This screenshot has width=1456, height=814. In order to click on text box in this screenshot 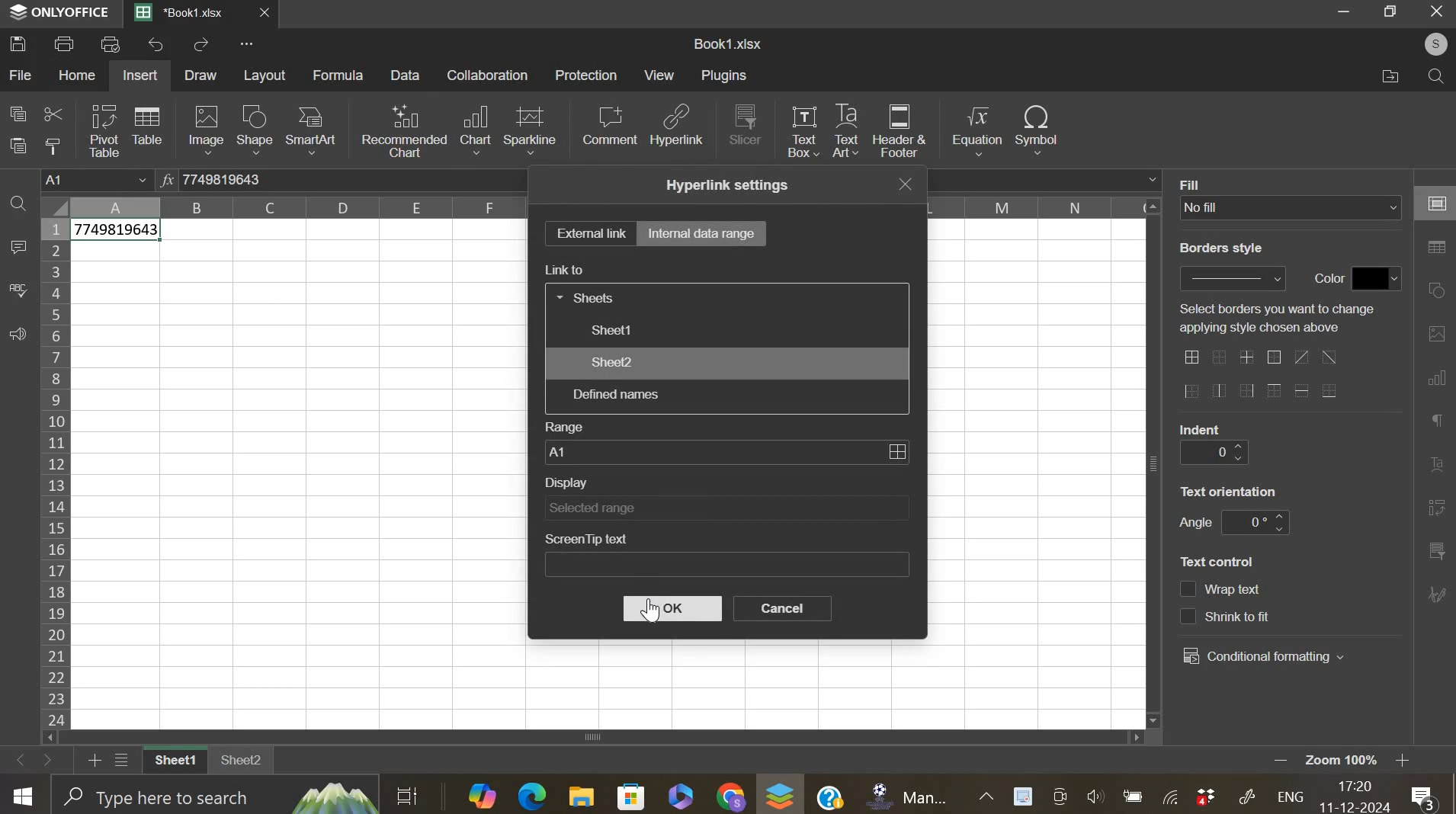, I will do `click(802, 130)`.